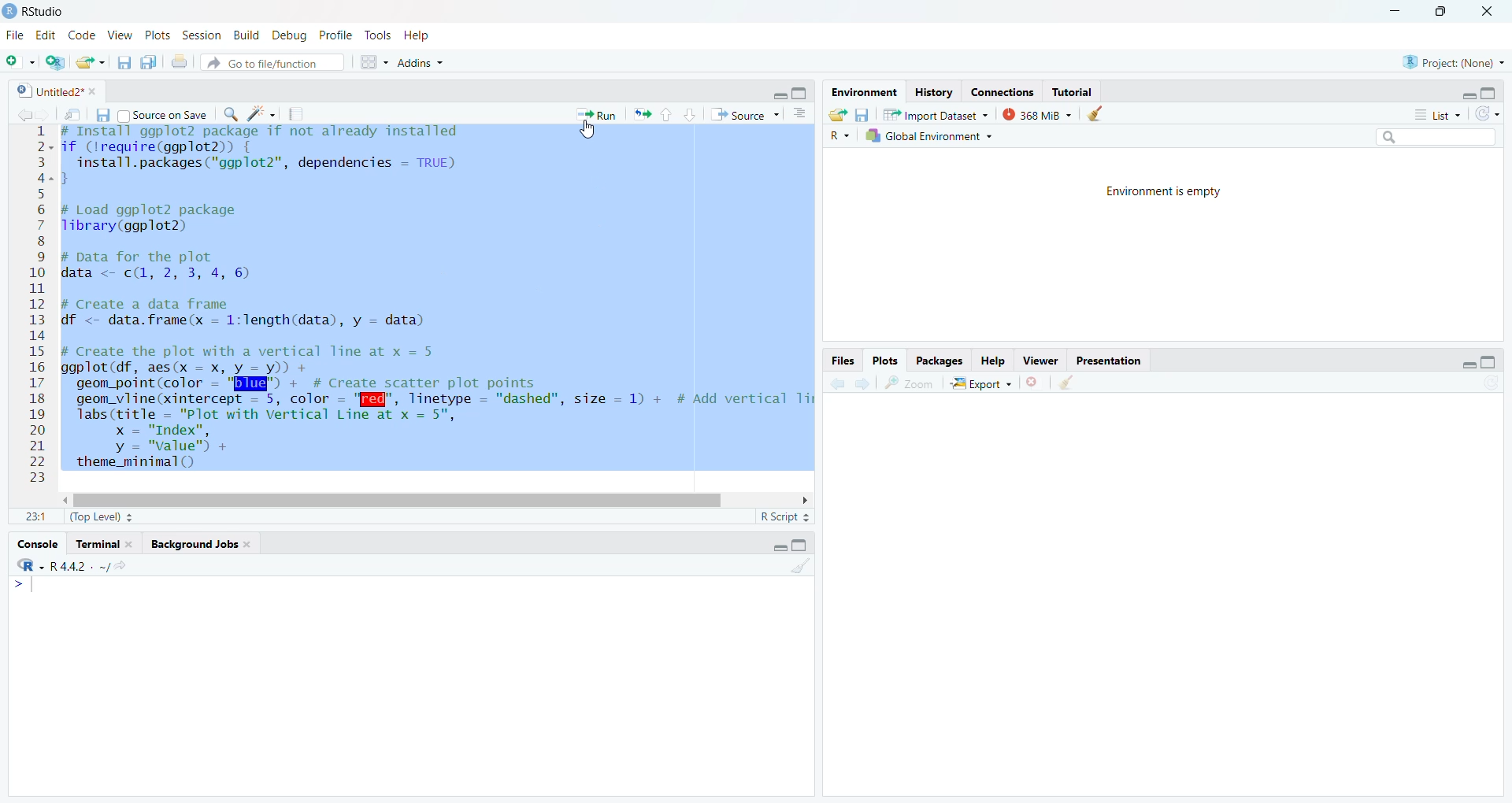 This screenshot has height=803, width=1512. What do you see at coordinates (775, 94) in the screenshot?
I see `minimise` at bounding box center [775, 94].